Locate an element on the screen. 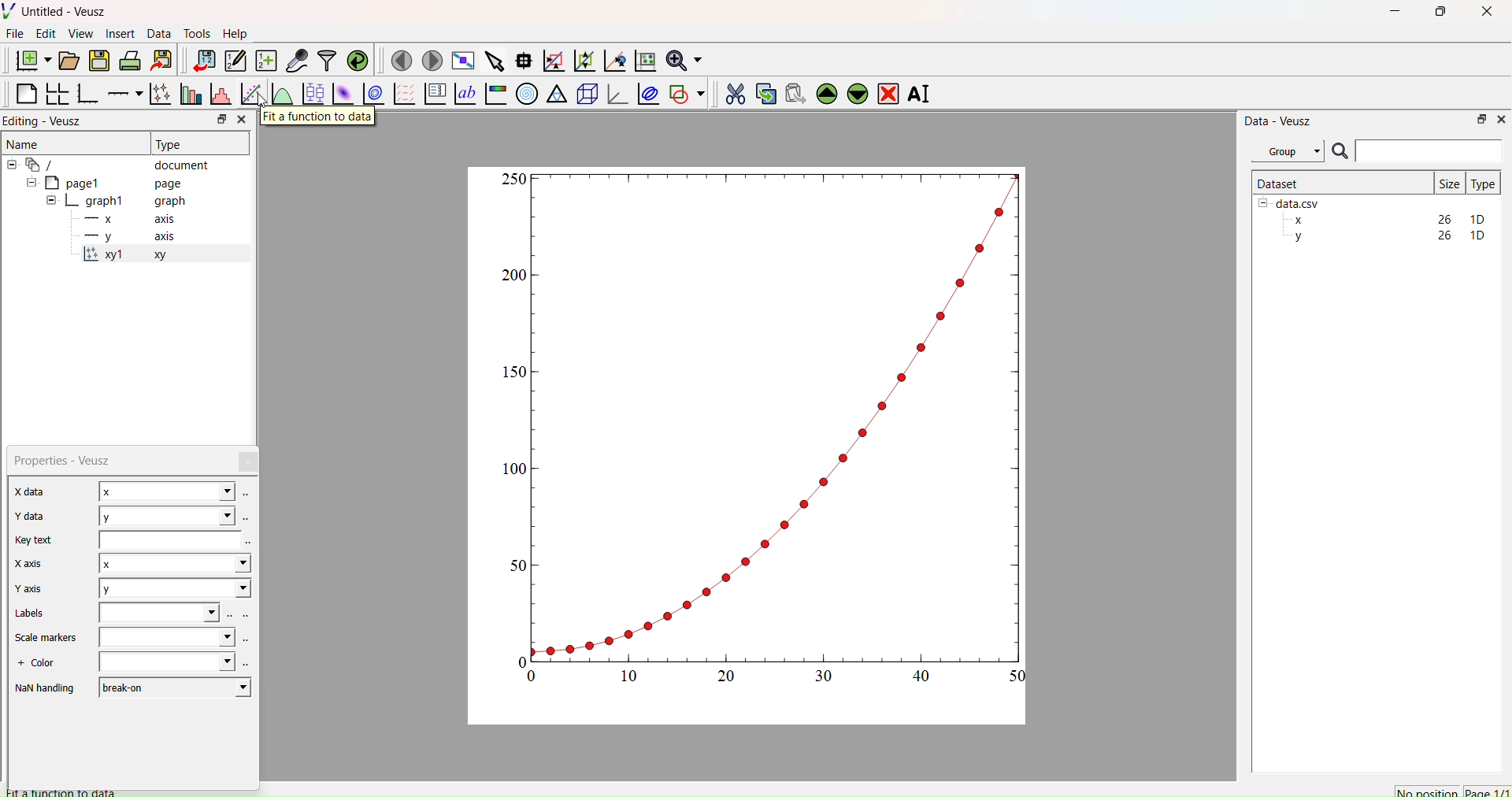 This screenshot has height=797, width=1512. Dataset is located at coordinates (1279, 183).